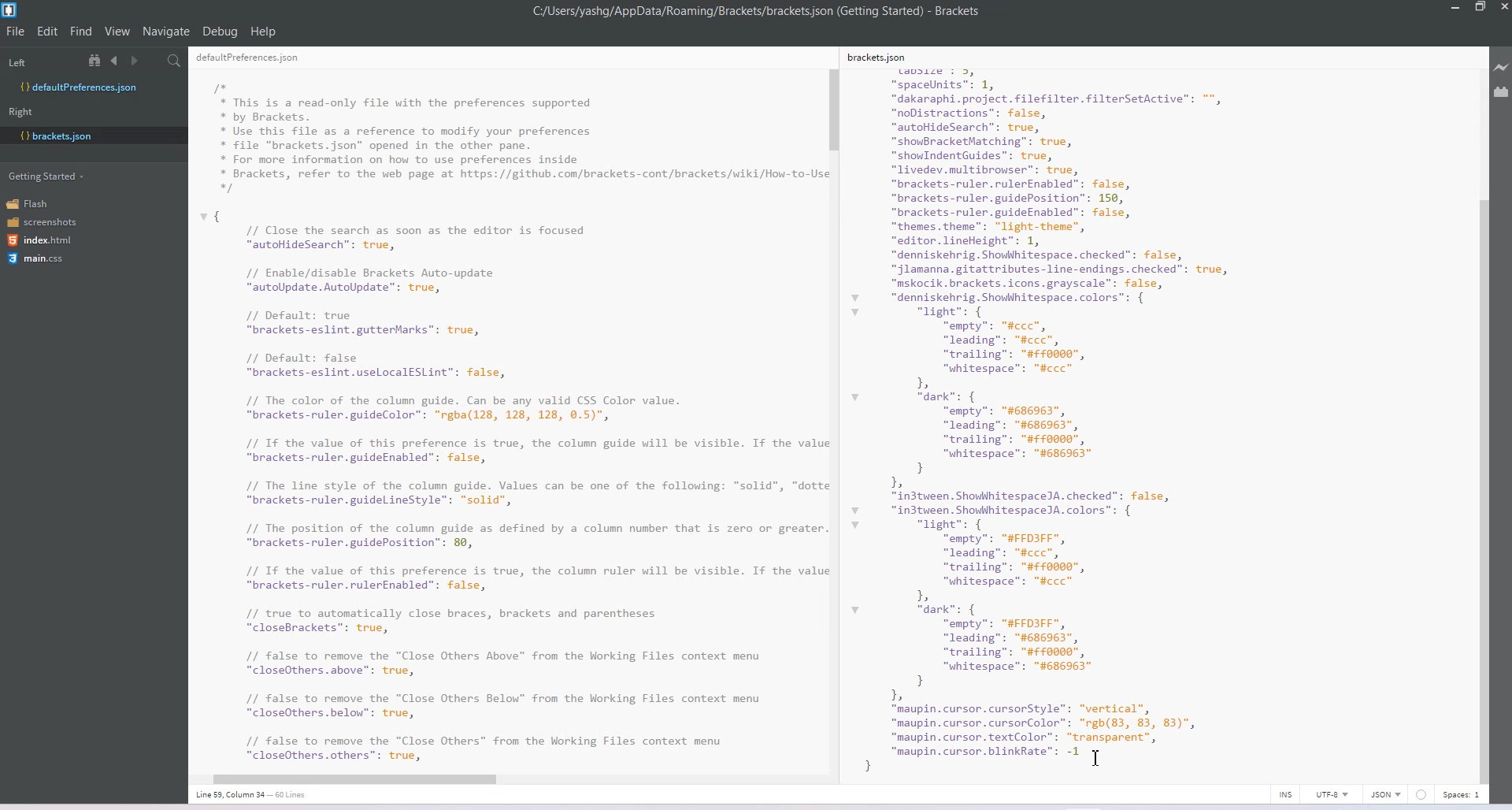  I want to click on Help, so click(269, 29).